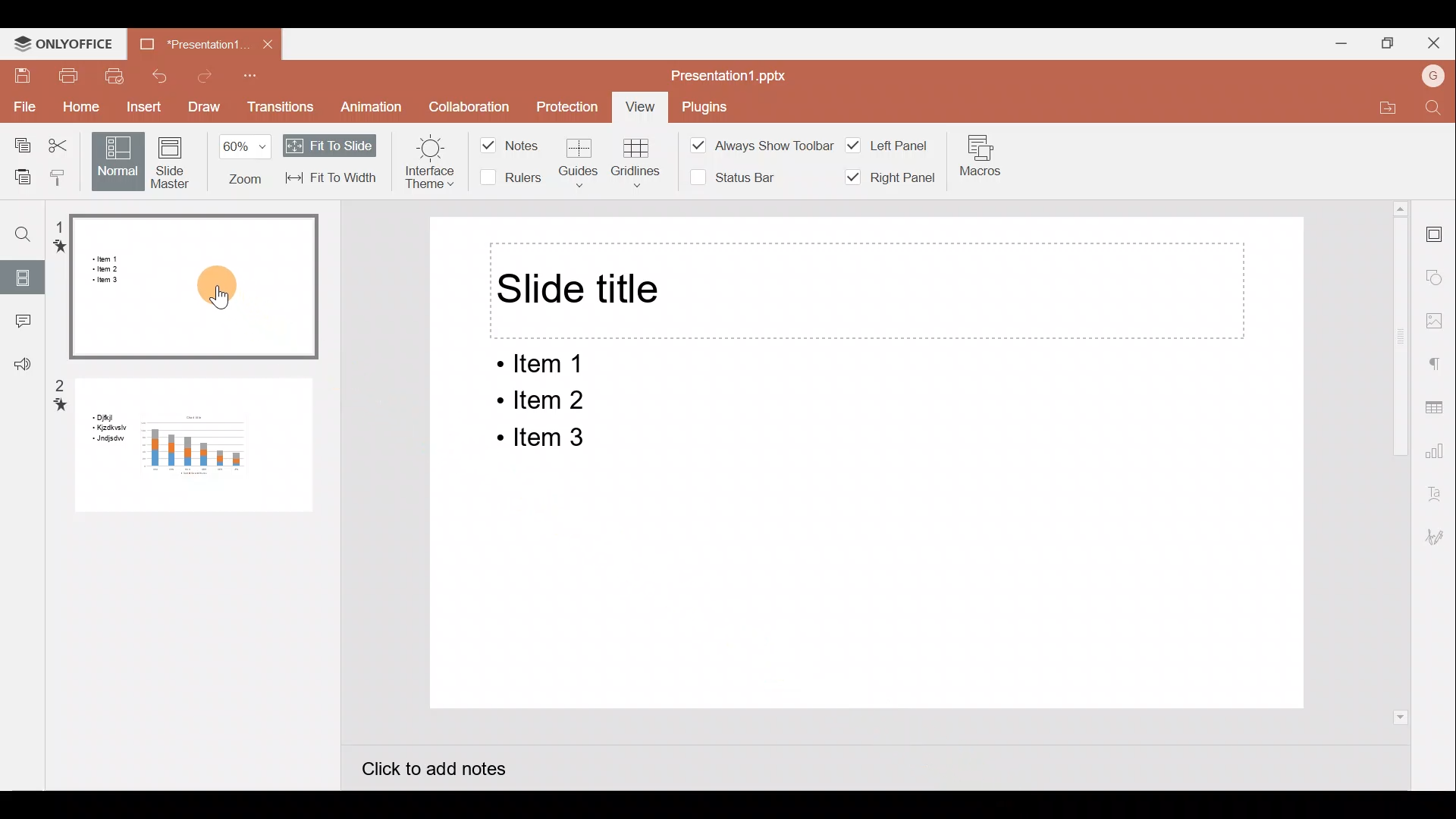  I want to click on Draw, so click(202, 104).